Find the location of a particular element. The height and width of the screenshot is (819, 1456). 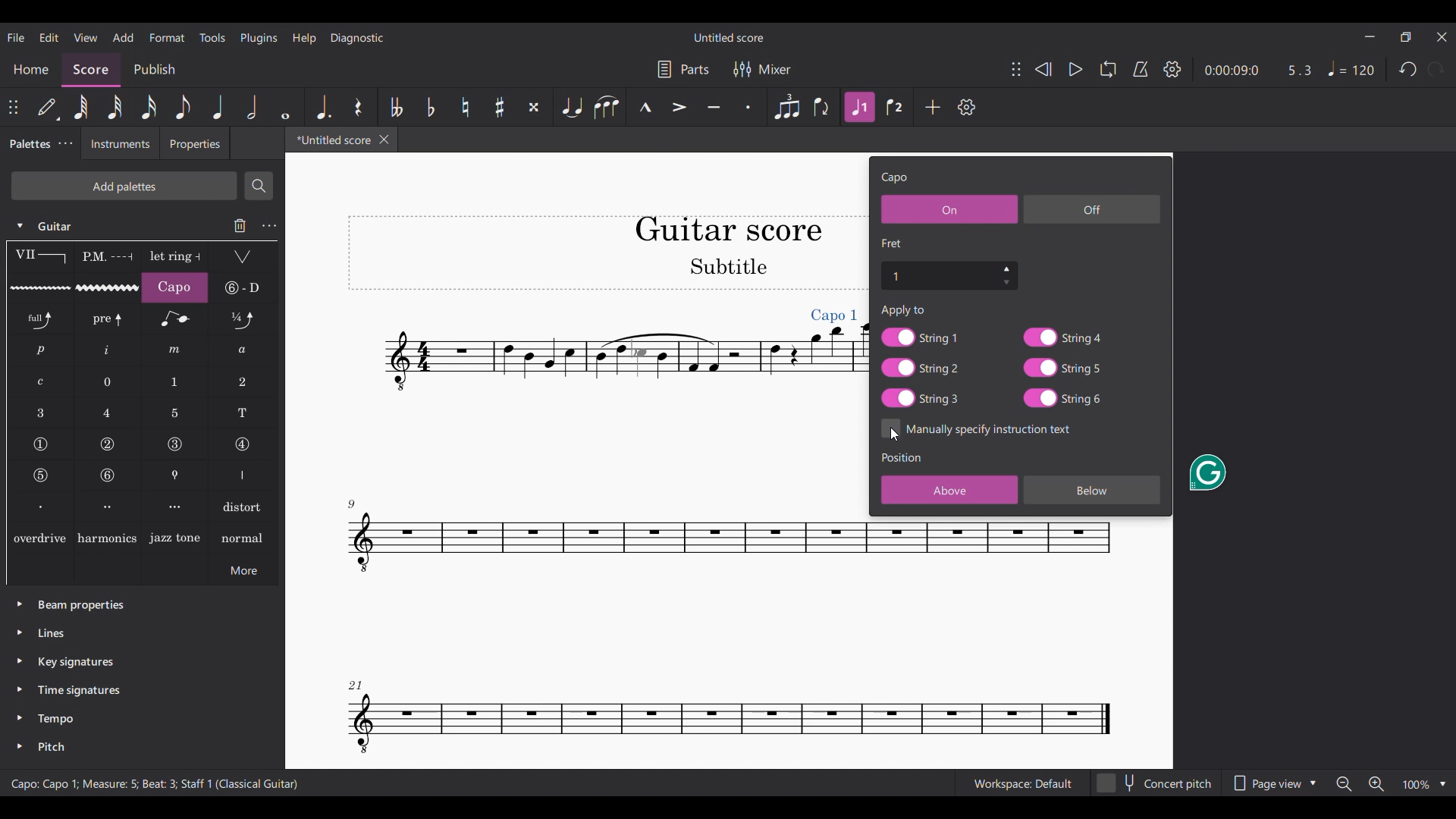

Slur is located at coordinates (606, 107).